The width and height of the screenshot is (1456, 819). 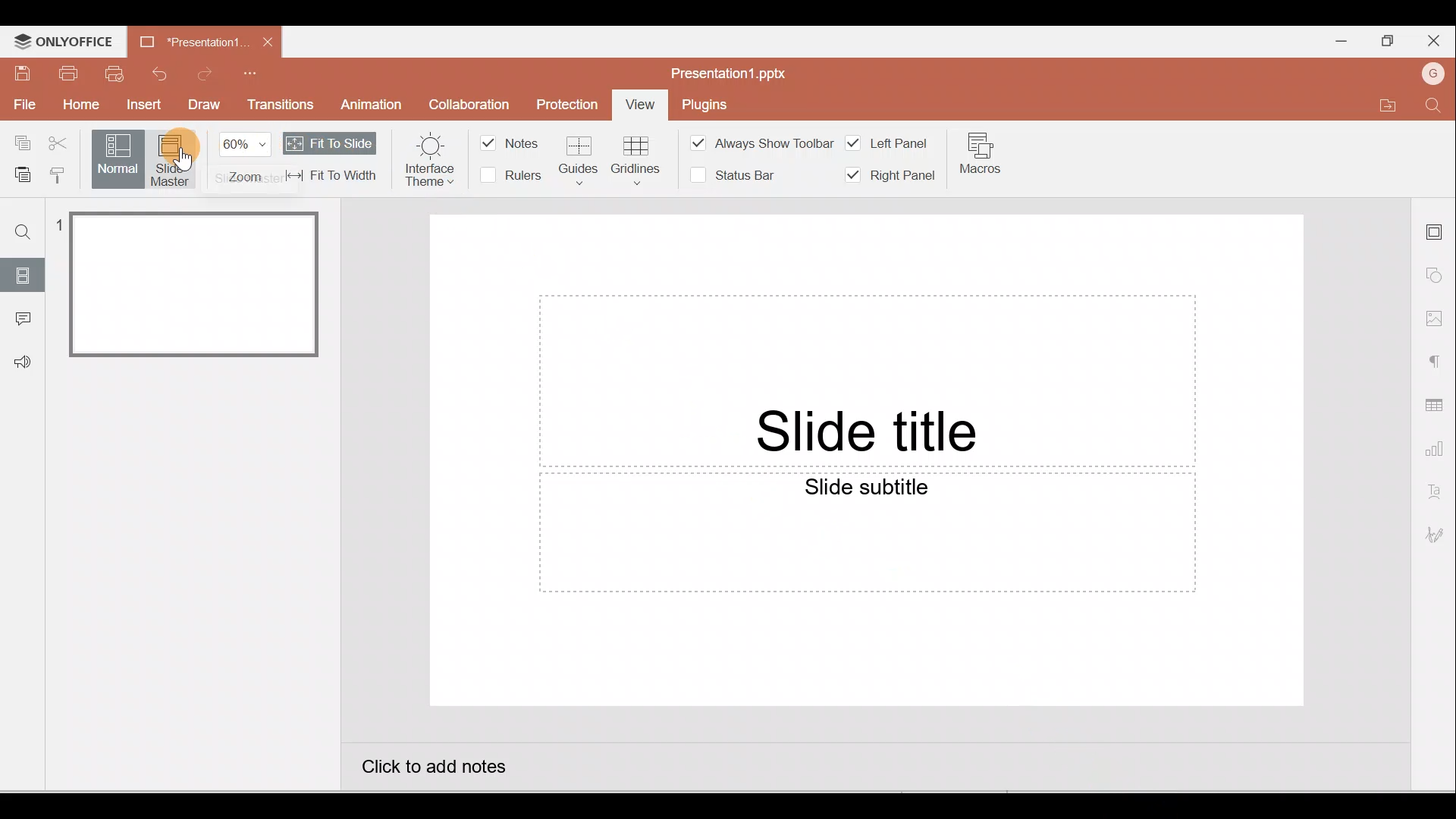 What do you see at coordinates (569, 102) in the screenshot?
I see `Protection` at bounding box center [569, 102].